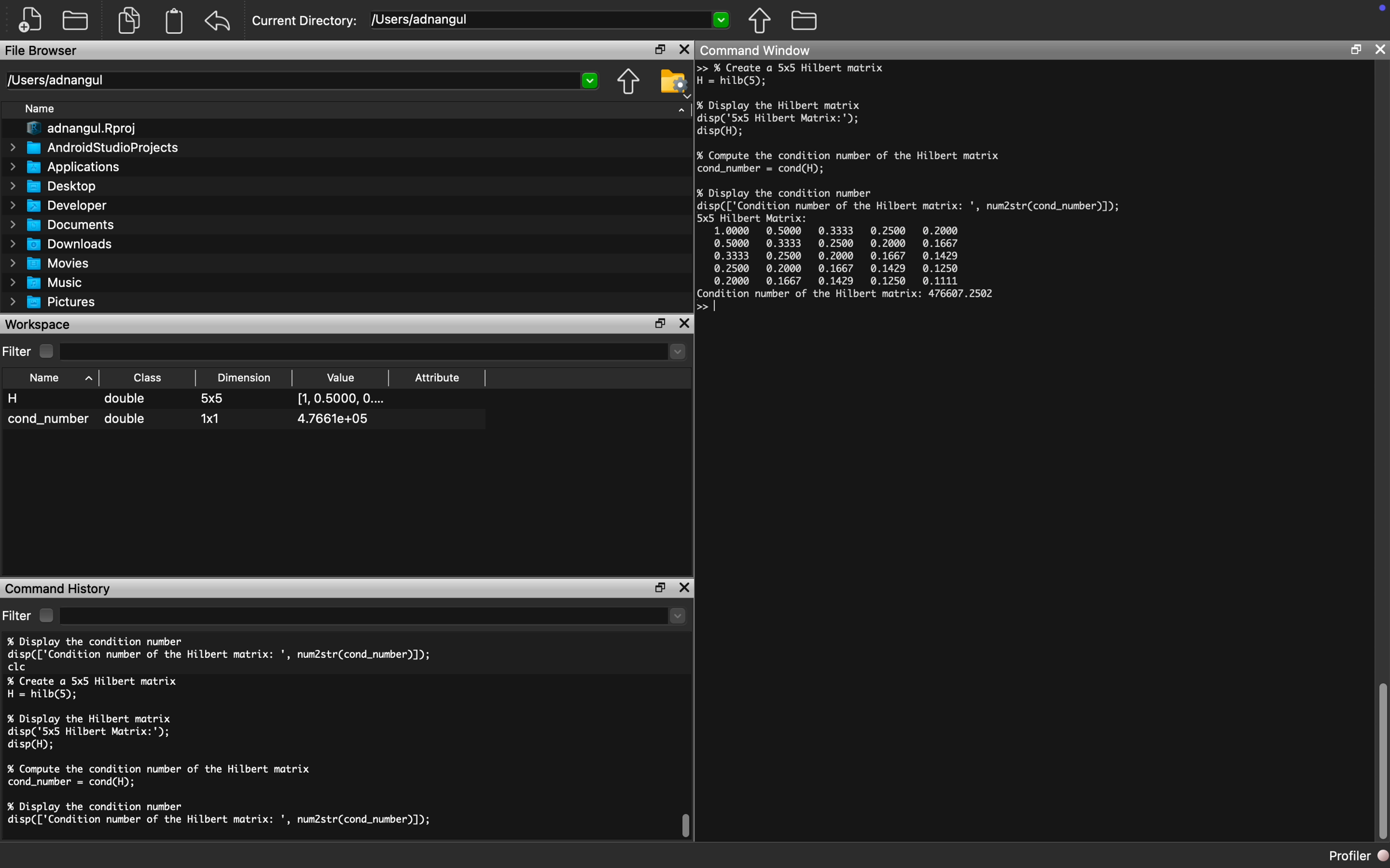  I want to click on % Compute the condition number of the Hilbert matrix
cond_number = cond(H);, so click(165, 776).